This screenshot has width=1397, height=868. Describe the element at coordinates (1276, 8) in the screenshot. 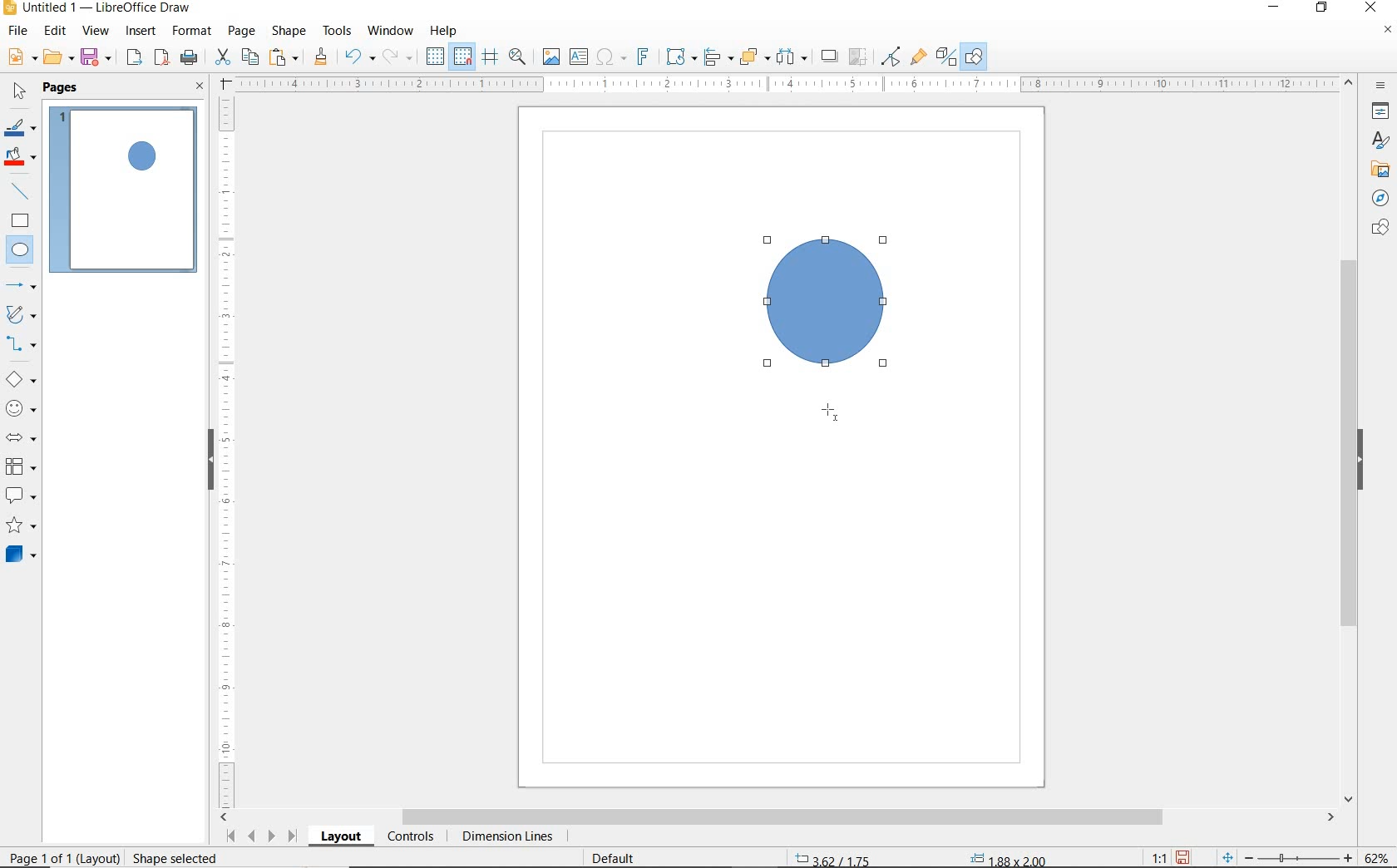

I see `MINIMIZE` at that location.